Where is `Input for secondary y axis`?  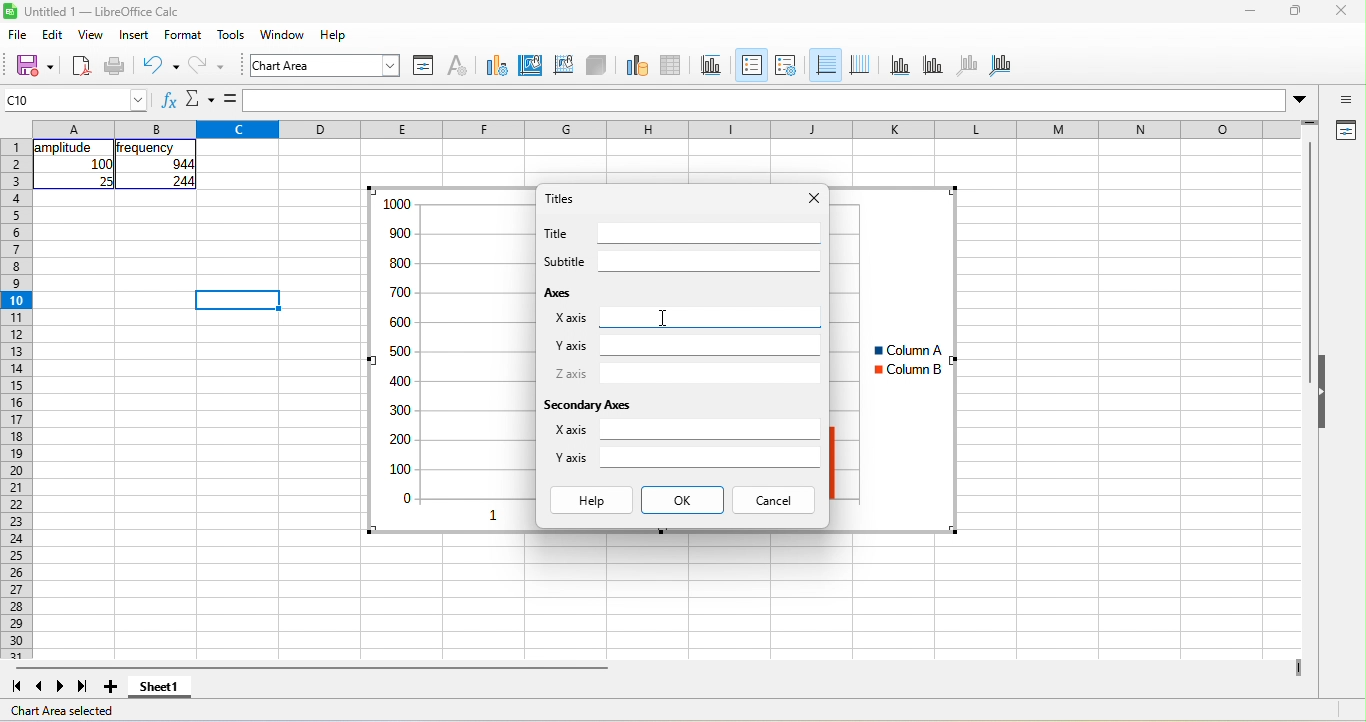 Input for secondary y axis is located at coordinates (710, 457).